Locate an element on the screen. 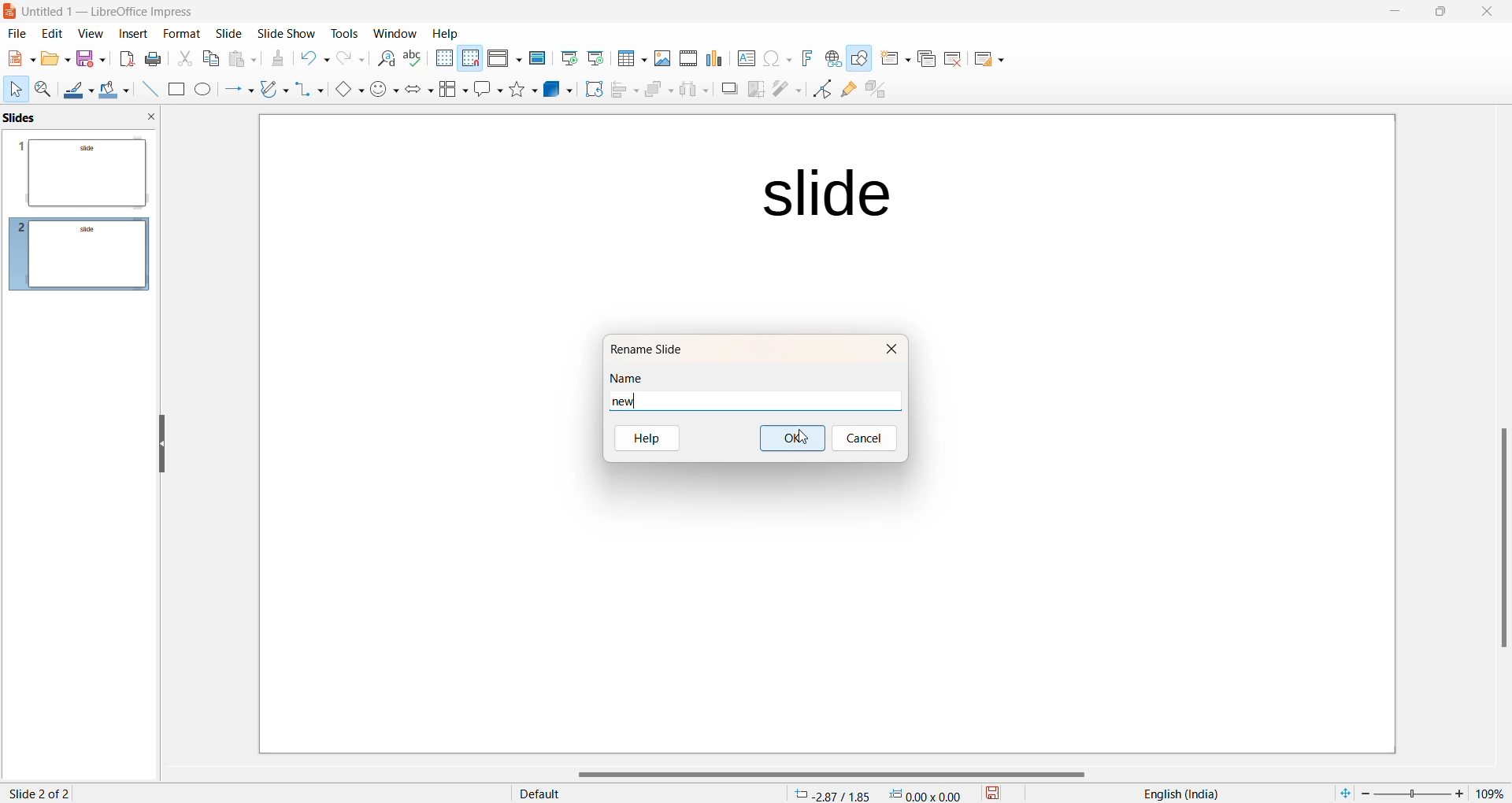  Line color is located at coordinates (77, 88).